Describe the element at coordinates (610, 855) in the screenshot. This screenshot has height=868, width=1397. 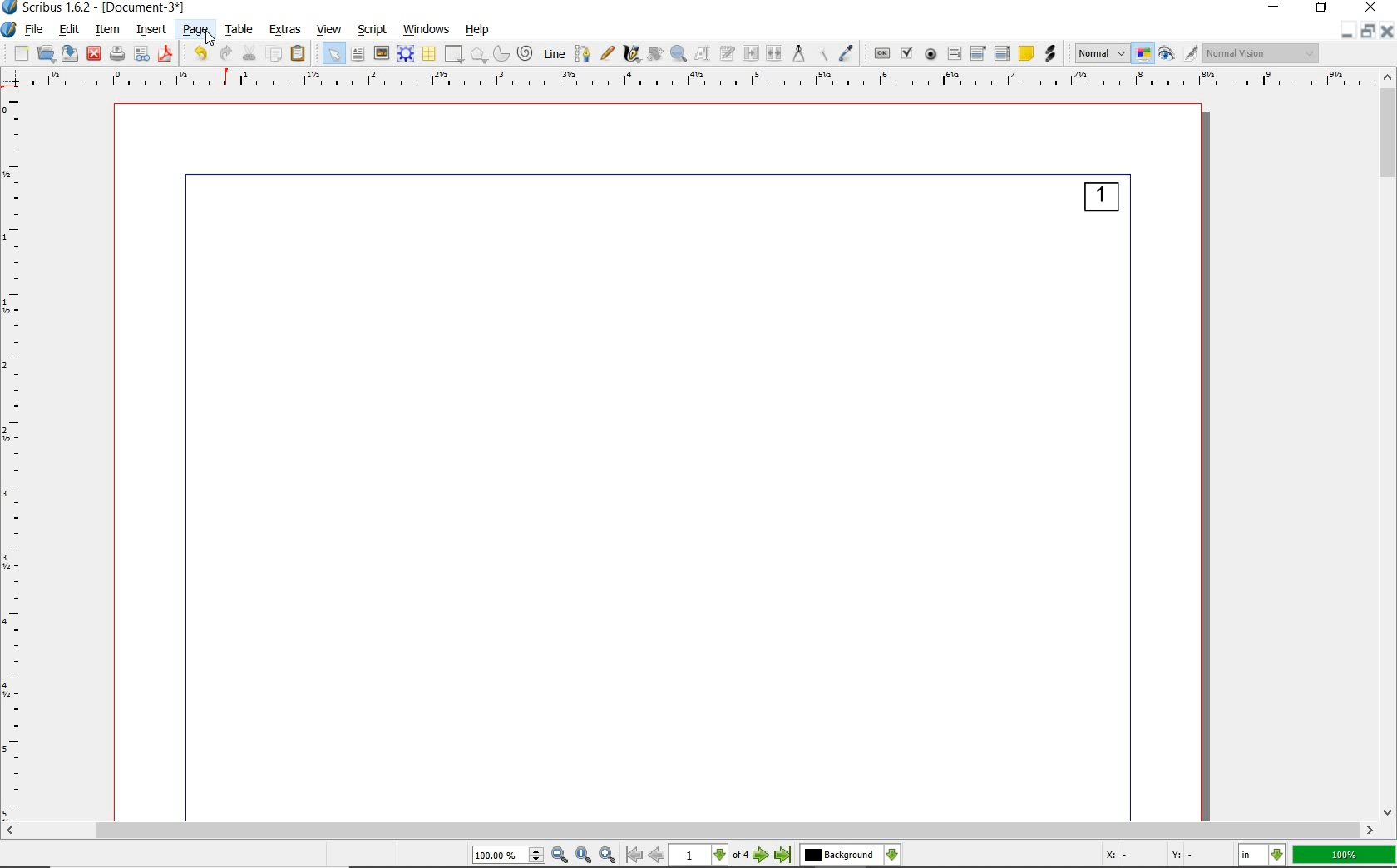
I see `zoom in` at that location.